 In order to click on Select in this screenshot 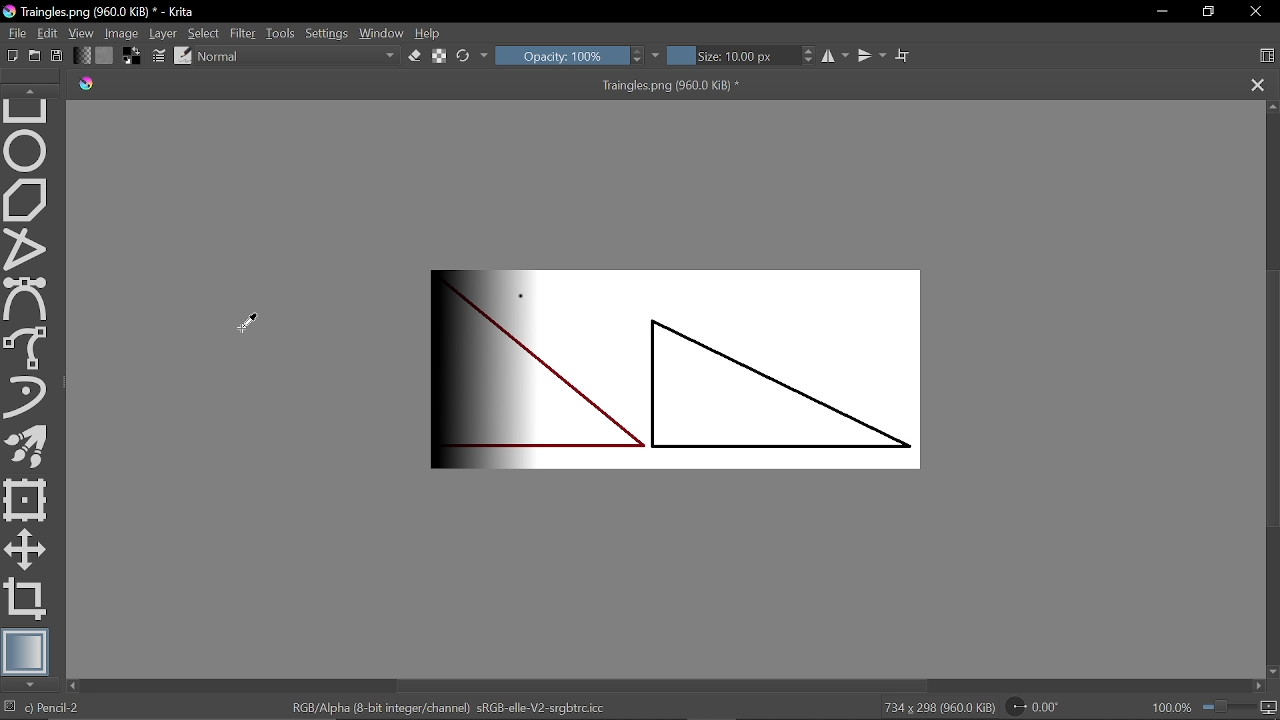, I will do `click(204, 33)`.